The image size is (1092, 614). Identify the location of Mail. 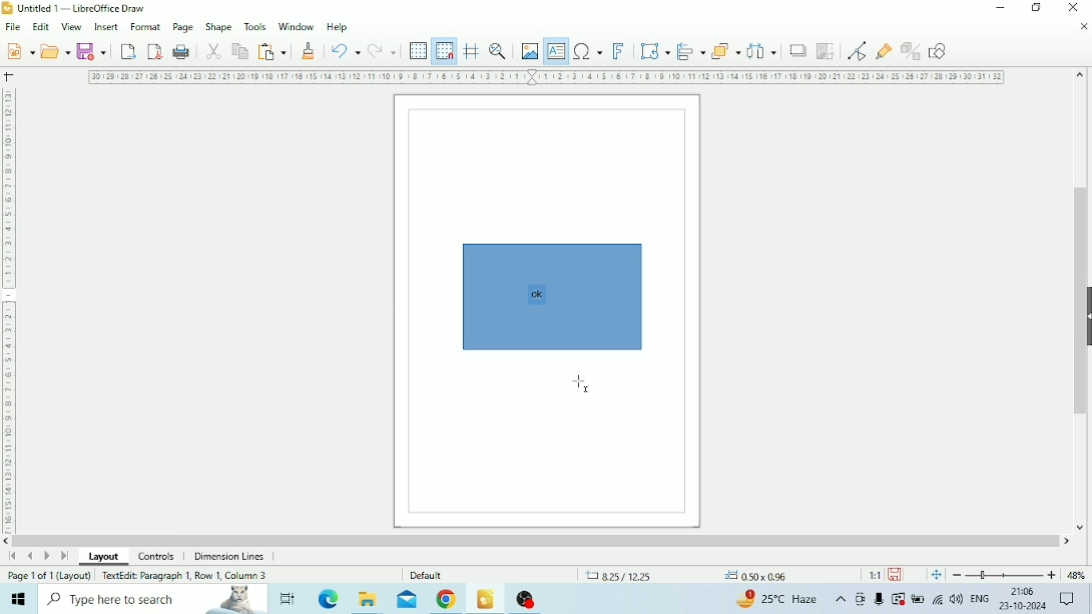
(405, 600).